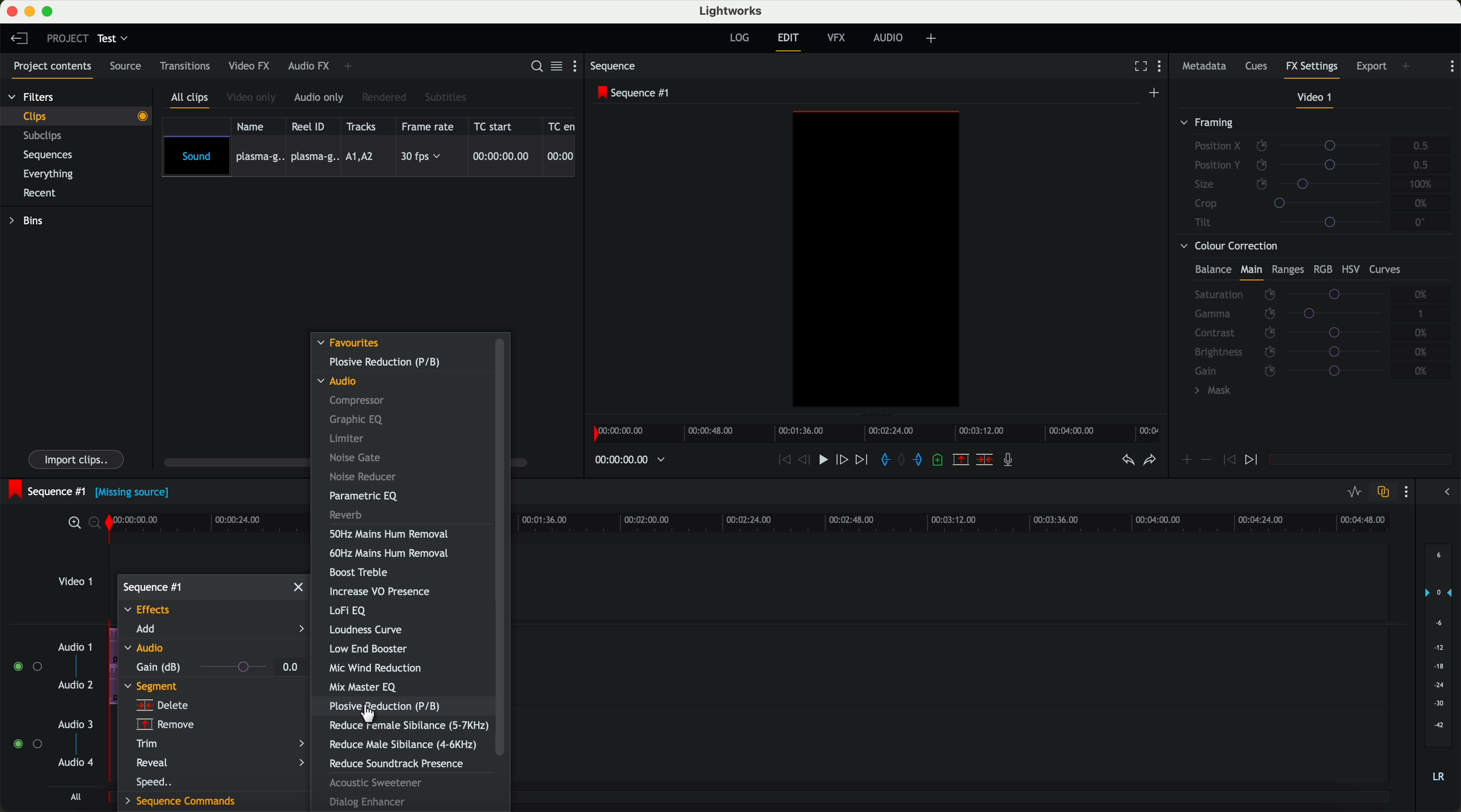 This screenshot has width=1461, height=812. Describe the element at coordinates (201, 667) in the screenshot. I see `gain (dB)` at that location.